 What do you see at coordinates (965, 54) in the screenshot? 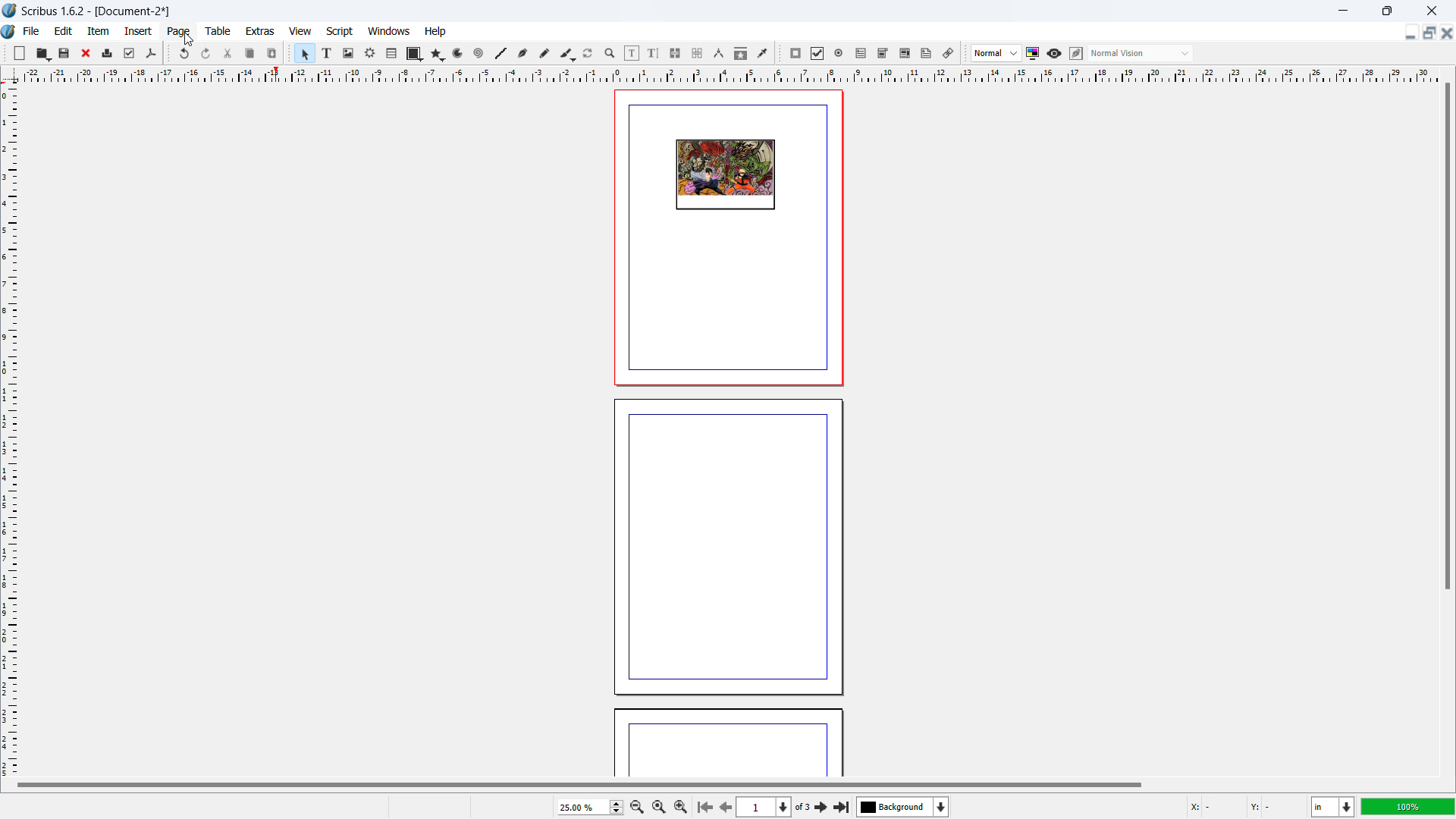
I see `move toolbox` at bounding box center [965, 54].